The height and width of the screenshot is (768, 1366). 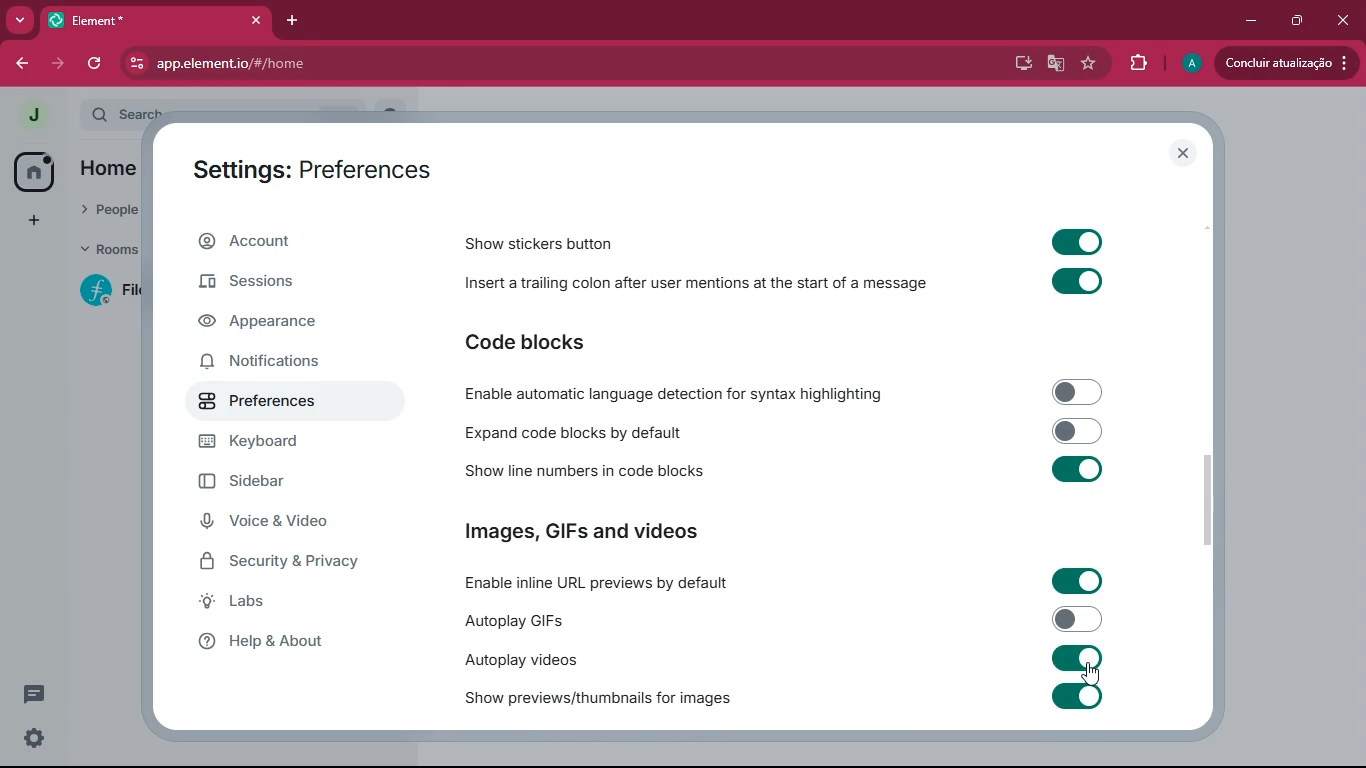 What do you see at coordinates (1077, 619) in the screenshot?
I see `` at bounding box center [1077, 619].